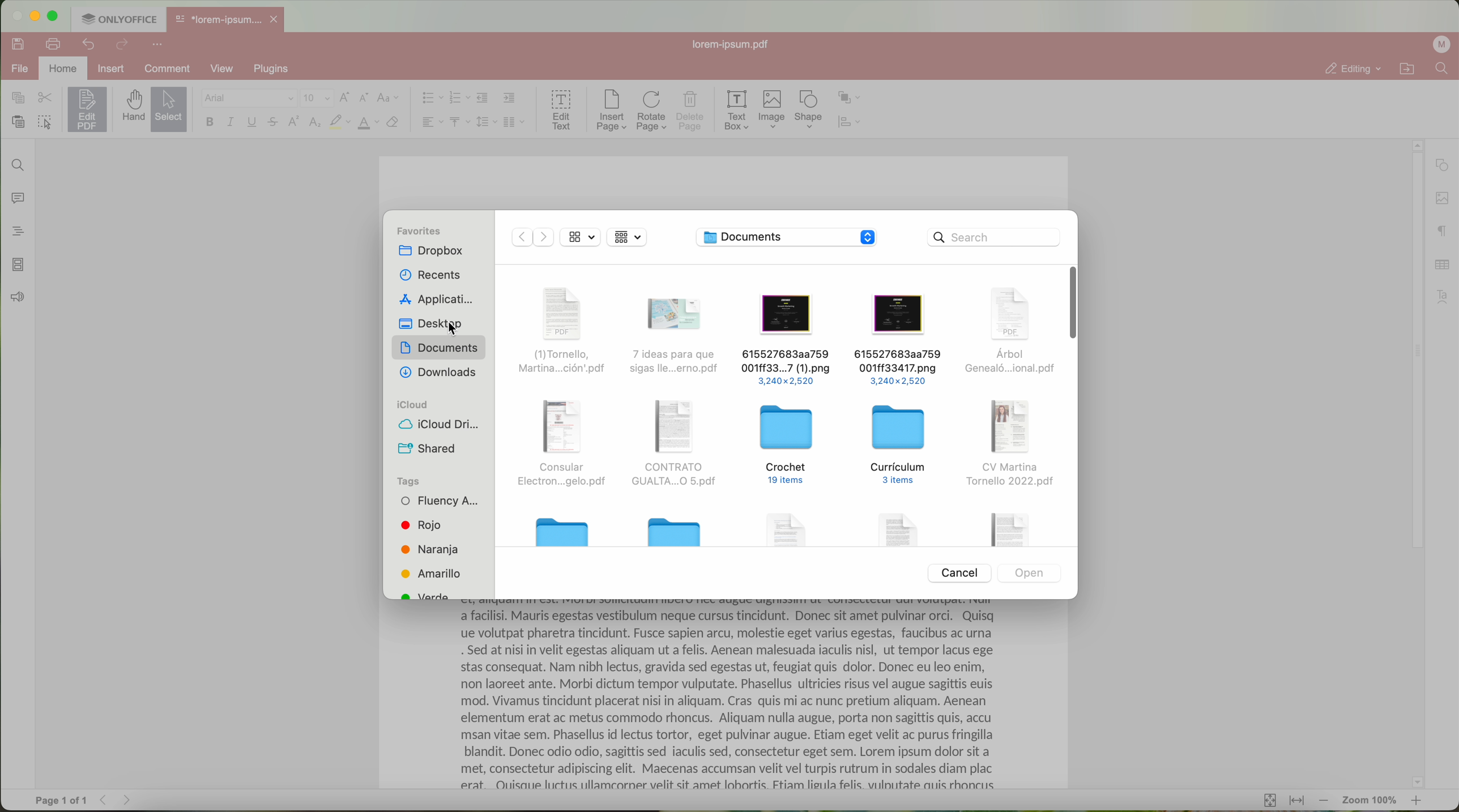  I want to click on file, so click(900, 527).